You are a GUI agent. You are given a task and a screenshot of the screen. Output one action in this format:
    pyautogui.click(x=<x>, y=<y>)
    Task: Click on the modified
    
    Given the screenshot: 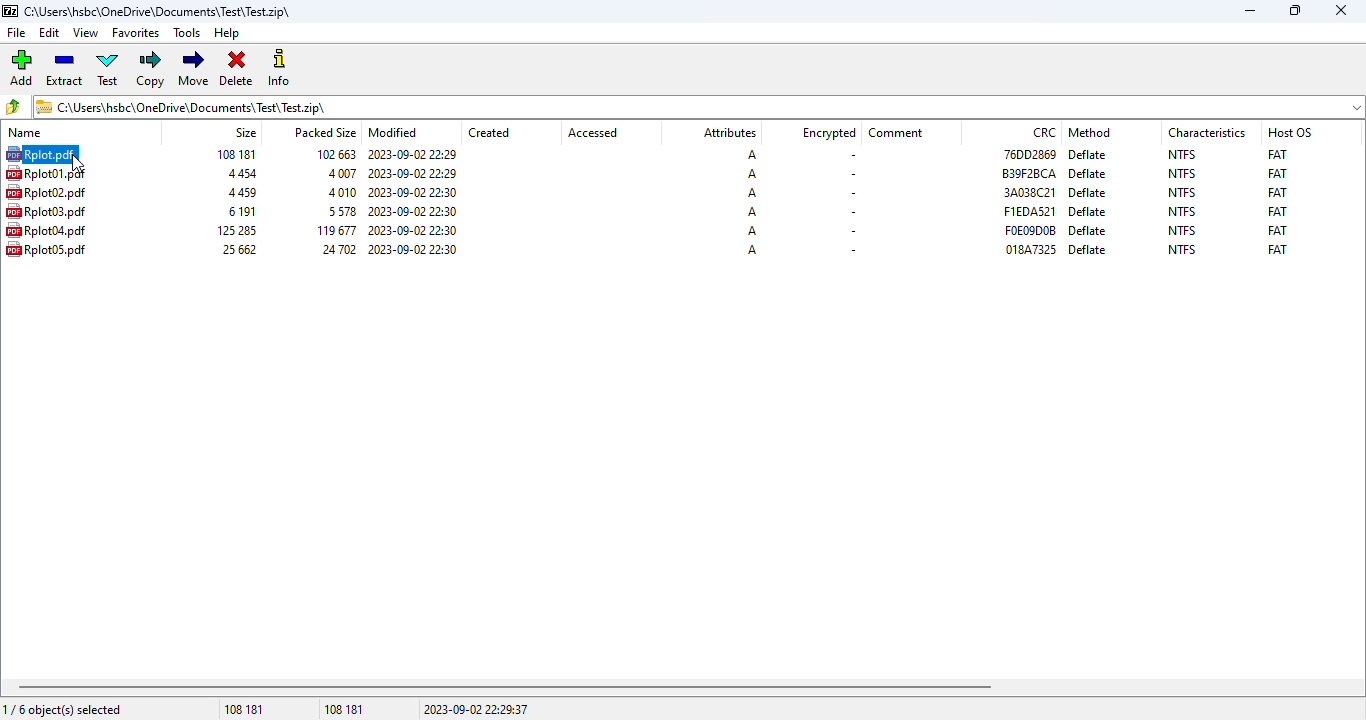 What is the action you would take?
    pyautogui.click(x=394, y=132)
    